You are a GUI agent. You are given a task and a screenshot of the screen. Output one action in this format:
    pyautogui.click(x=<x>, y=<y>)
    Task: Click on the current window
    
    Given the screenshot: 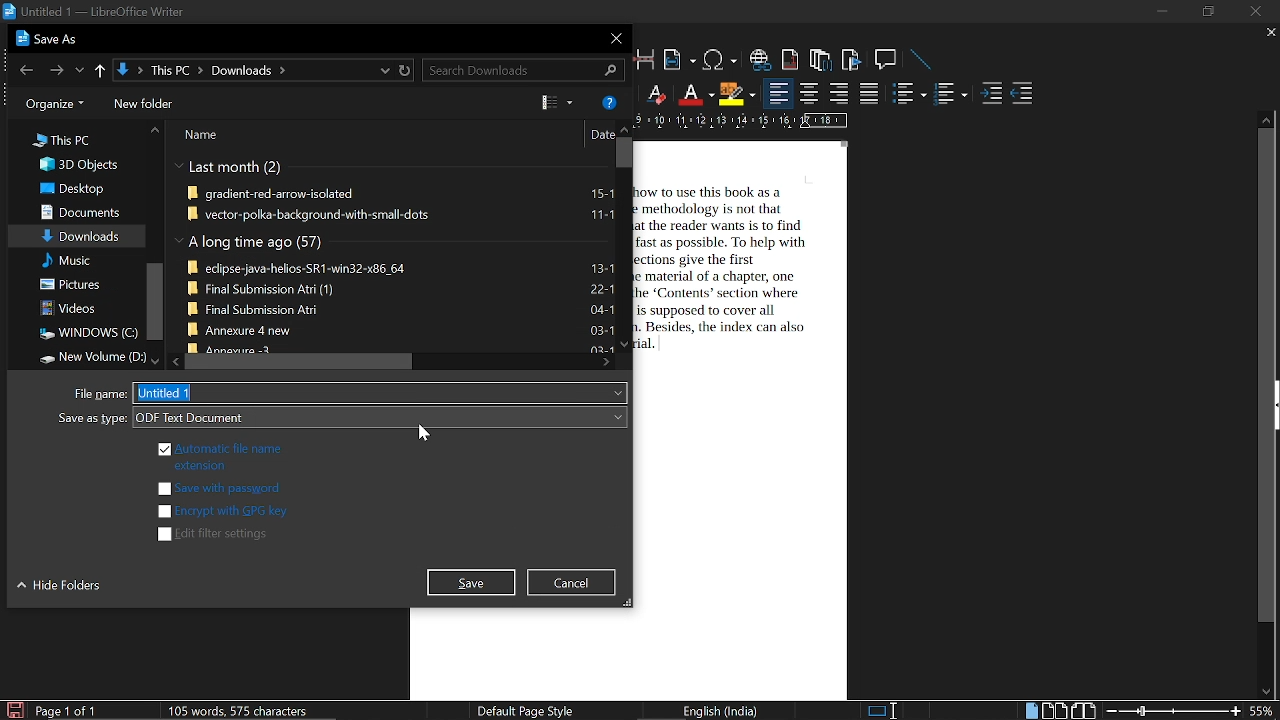 What is the action you would take?
    pyautogui.click(x=94, y=12)
    